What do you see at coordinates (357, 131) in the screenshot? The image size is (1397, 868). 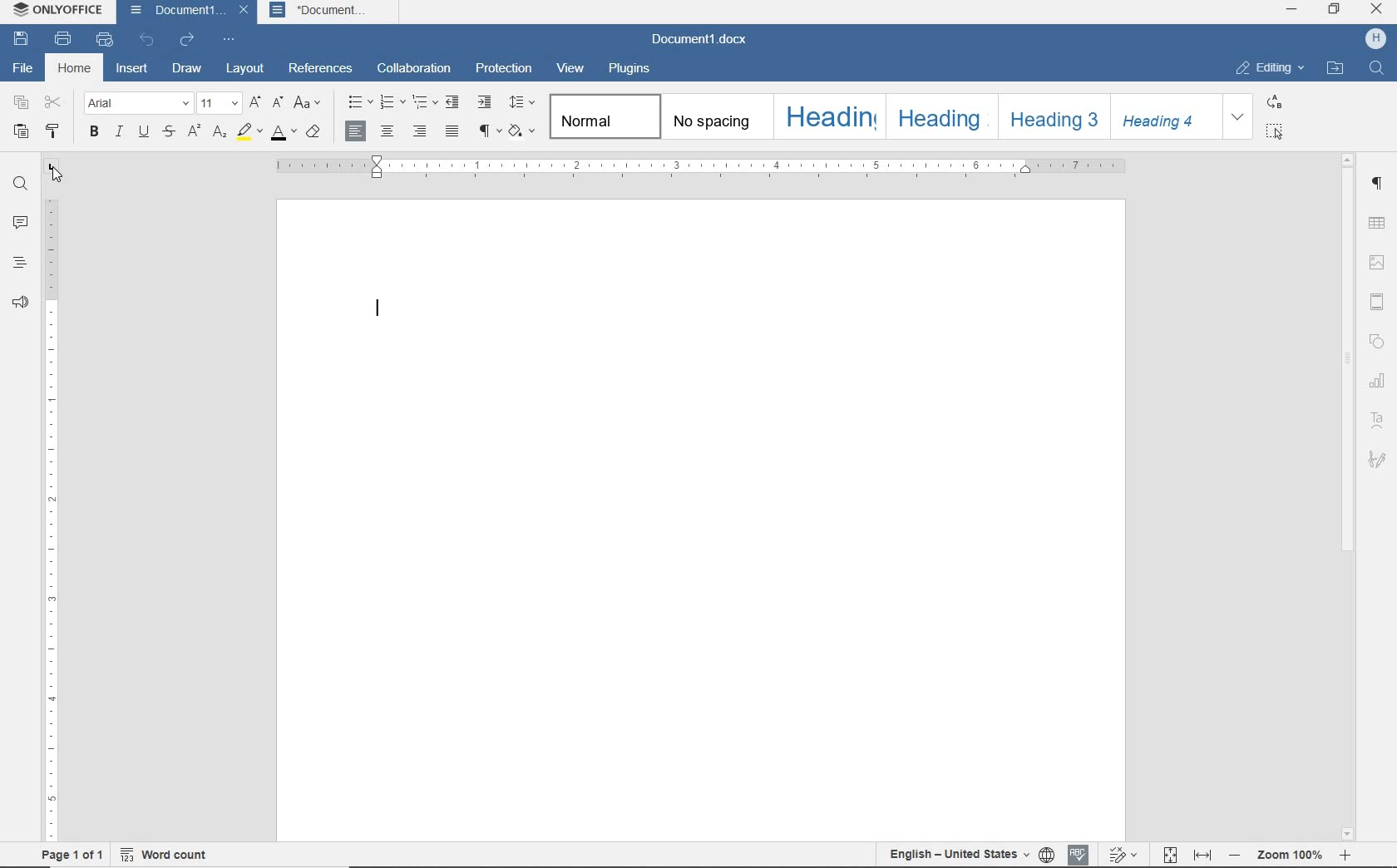 I see `ALIGN LEFT` at bounding box center [357, 131].